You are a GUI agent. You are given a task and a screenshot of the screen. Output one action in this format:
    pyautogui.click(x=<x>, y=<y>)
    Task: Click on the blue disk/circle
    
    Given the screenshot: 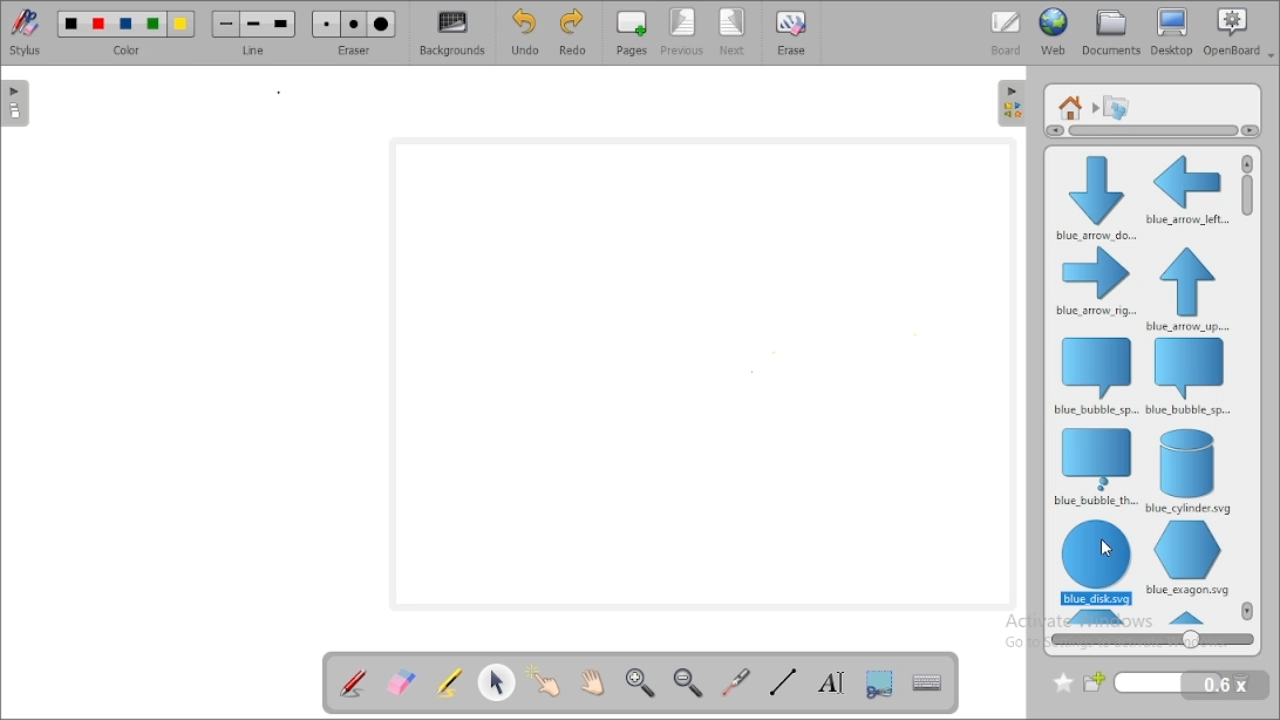 What is the action you would take?
    pyautogui.click(x=1097, y=562)
    